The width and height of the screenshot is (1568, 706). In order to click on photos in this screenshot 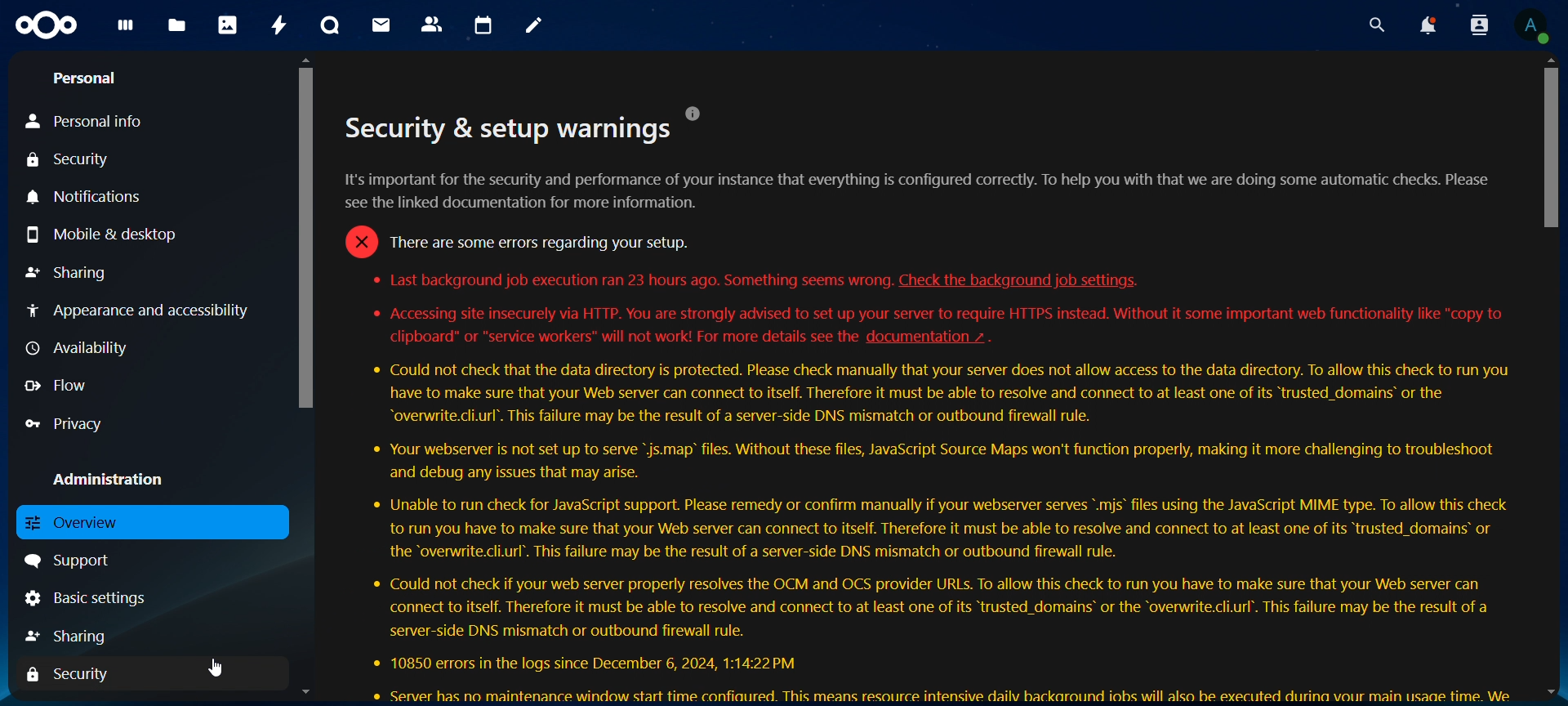, I will do `click(229, 27)`.